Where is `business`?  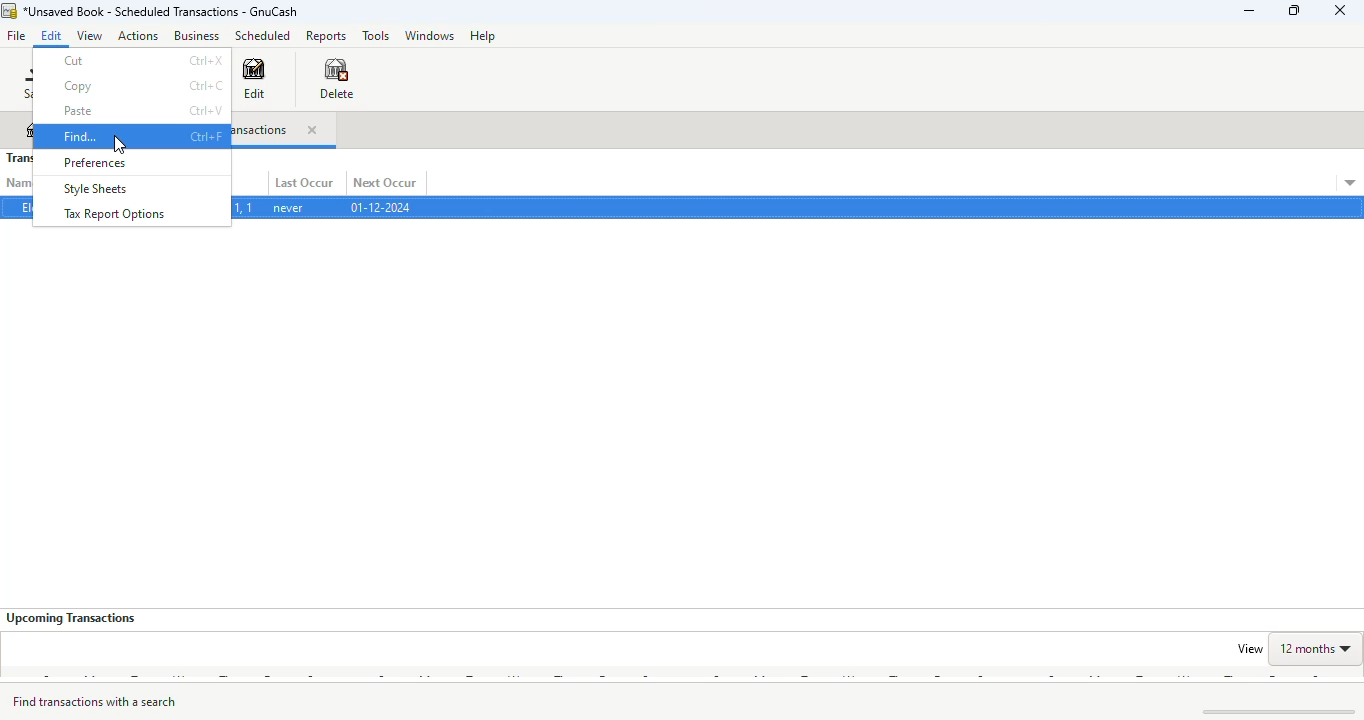
business is located at coordinates (198, 35).